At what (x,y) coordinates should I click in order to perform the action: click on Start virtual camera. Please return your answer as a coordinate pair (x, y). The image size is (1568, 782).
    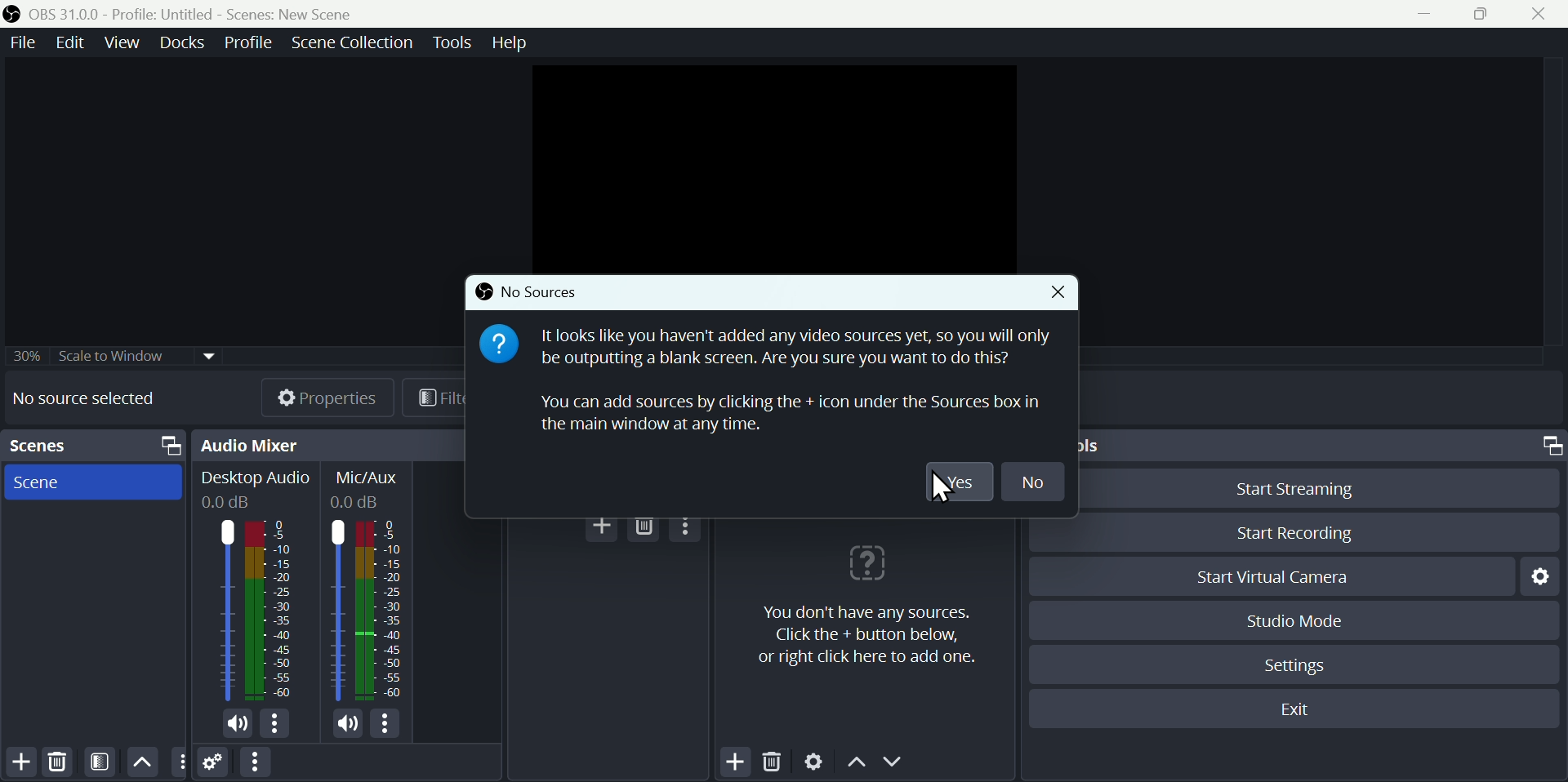
    Looking at the image, I should click on (1290, 575).